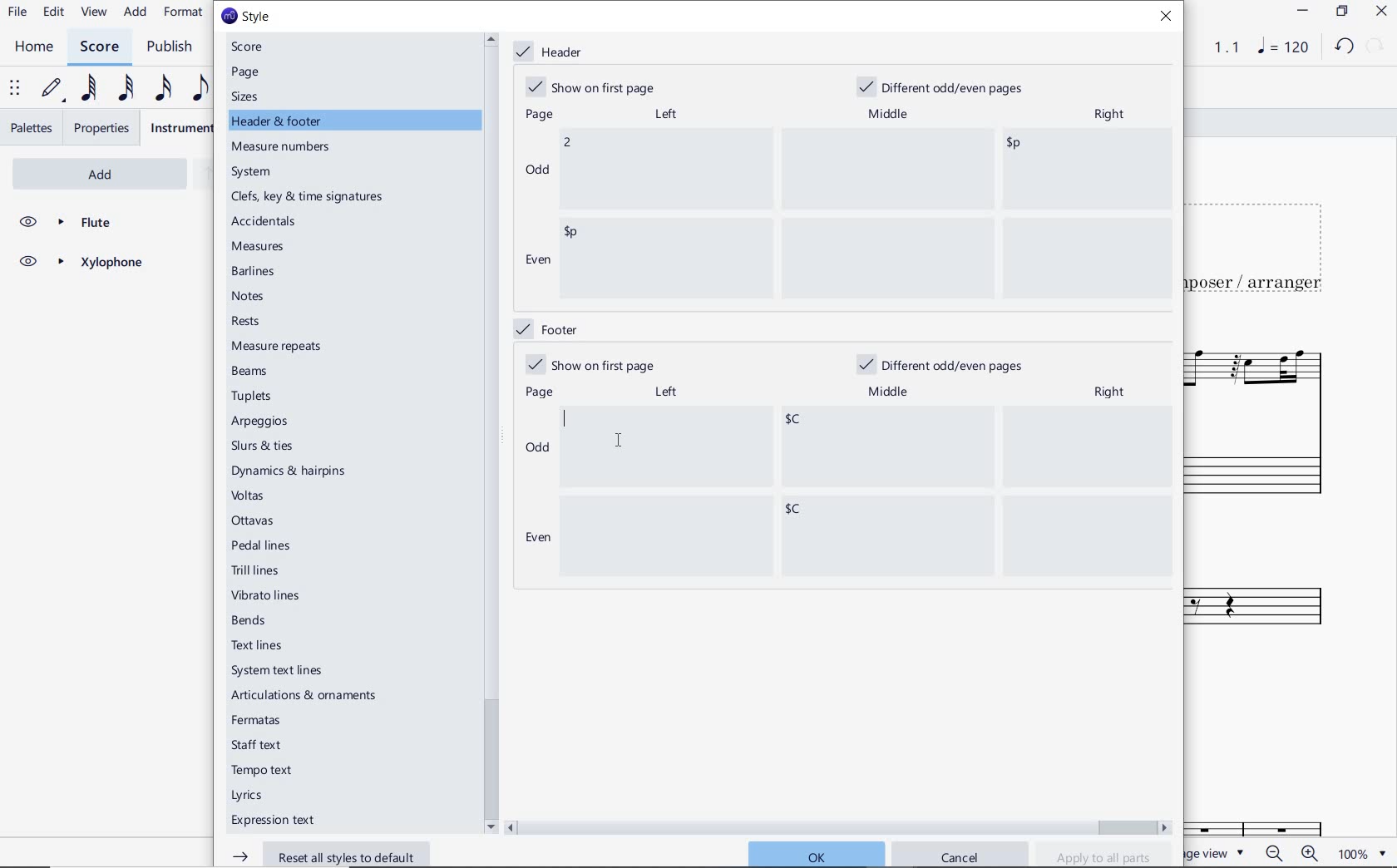 The width and height of the screenshot is (1397, 868). I want to click on system, so click(254, 172).